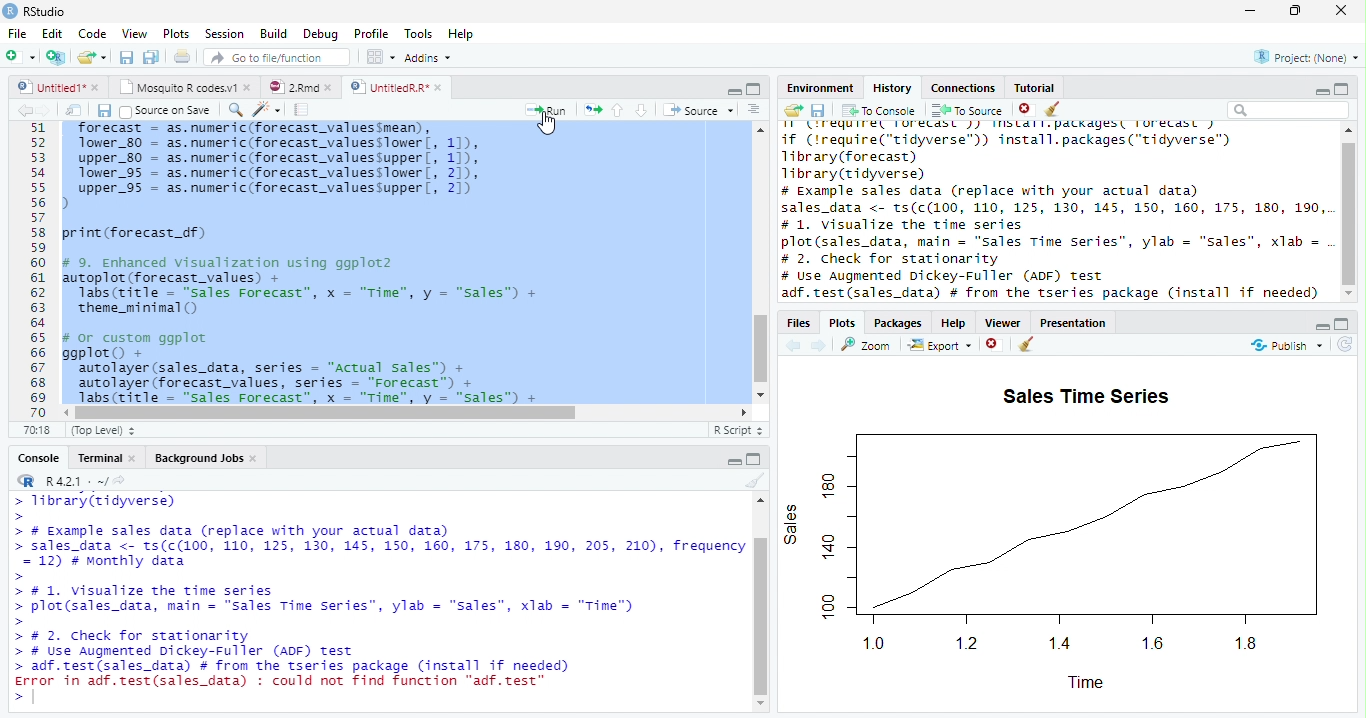  I want to click on R Script, so click(737, 431).